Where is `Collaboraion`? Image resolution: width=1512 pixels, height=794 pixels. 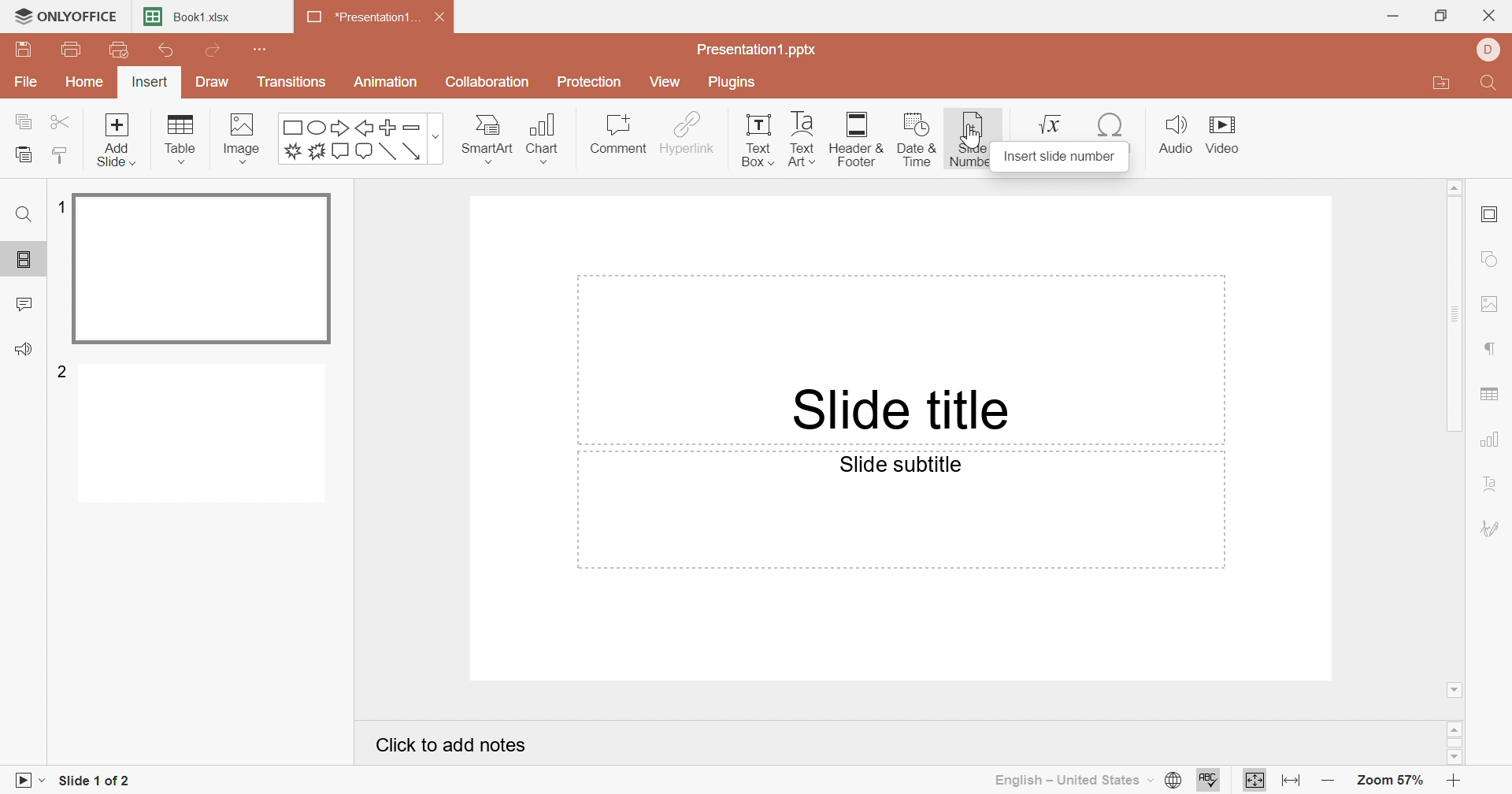
Collaboraion is located at coordinates (490, 84).